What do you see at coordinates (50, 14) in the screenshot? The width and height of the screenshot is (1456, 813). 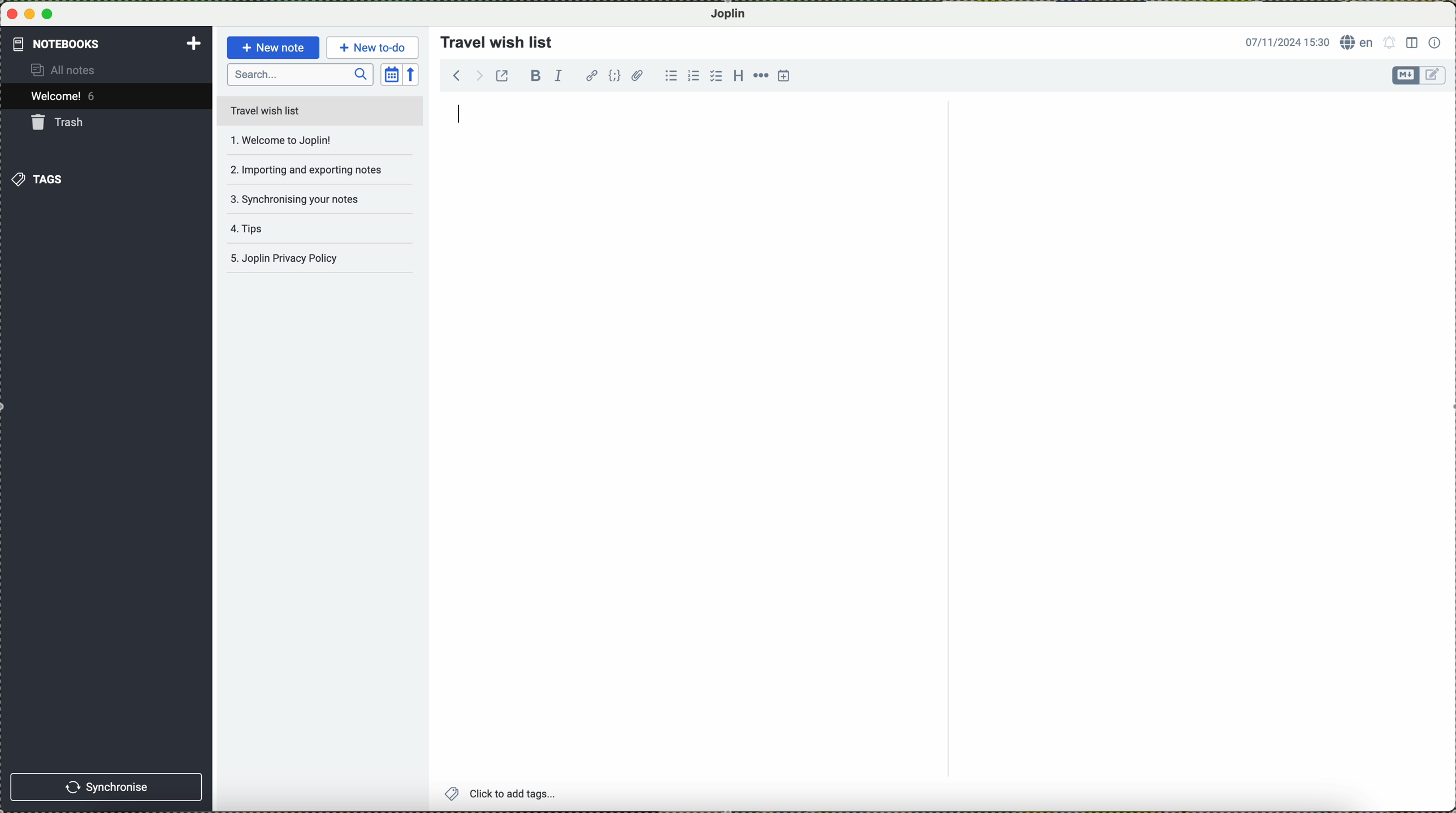 I see `maximize` at bounding box center [50, 14].